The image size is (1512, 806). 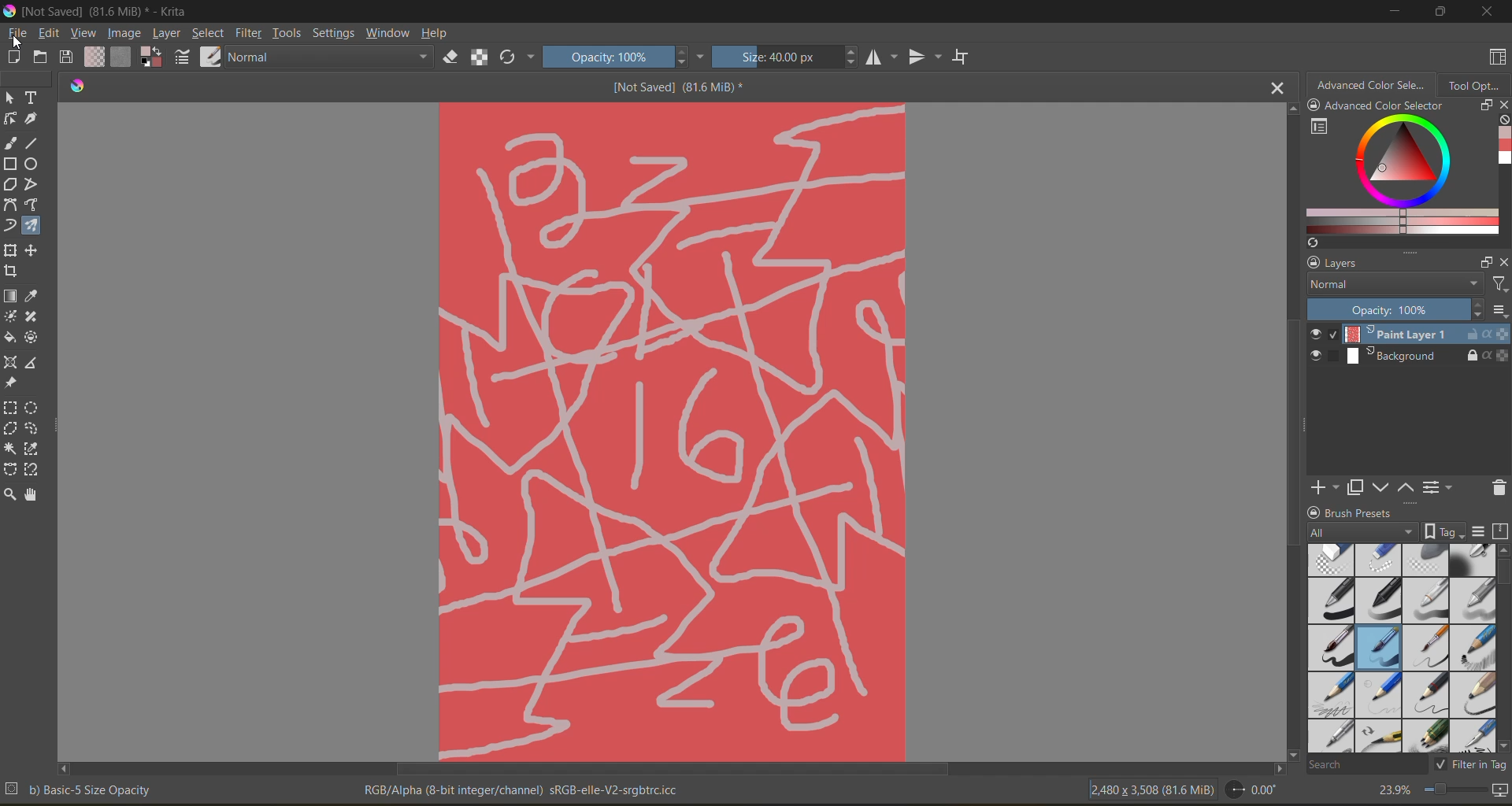 I want to click on filter, so click(x=250, y=35).